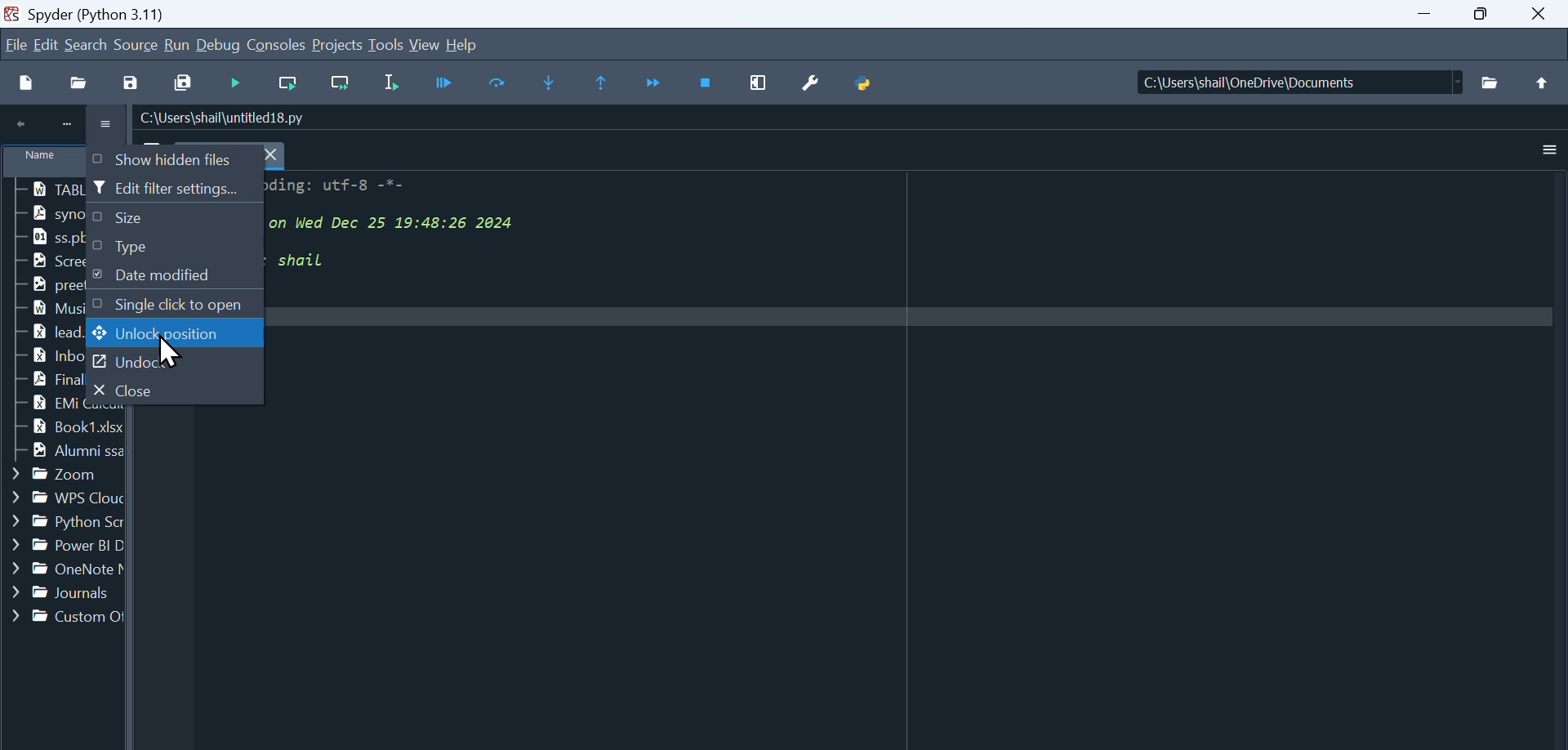 This screenshot has width=1568, height=750. What do you see at coordinates (1544, 13) in the screenshot?
I see `Close` at bounding box center [1544, 13].